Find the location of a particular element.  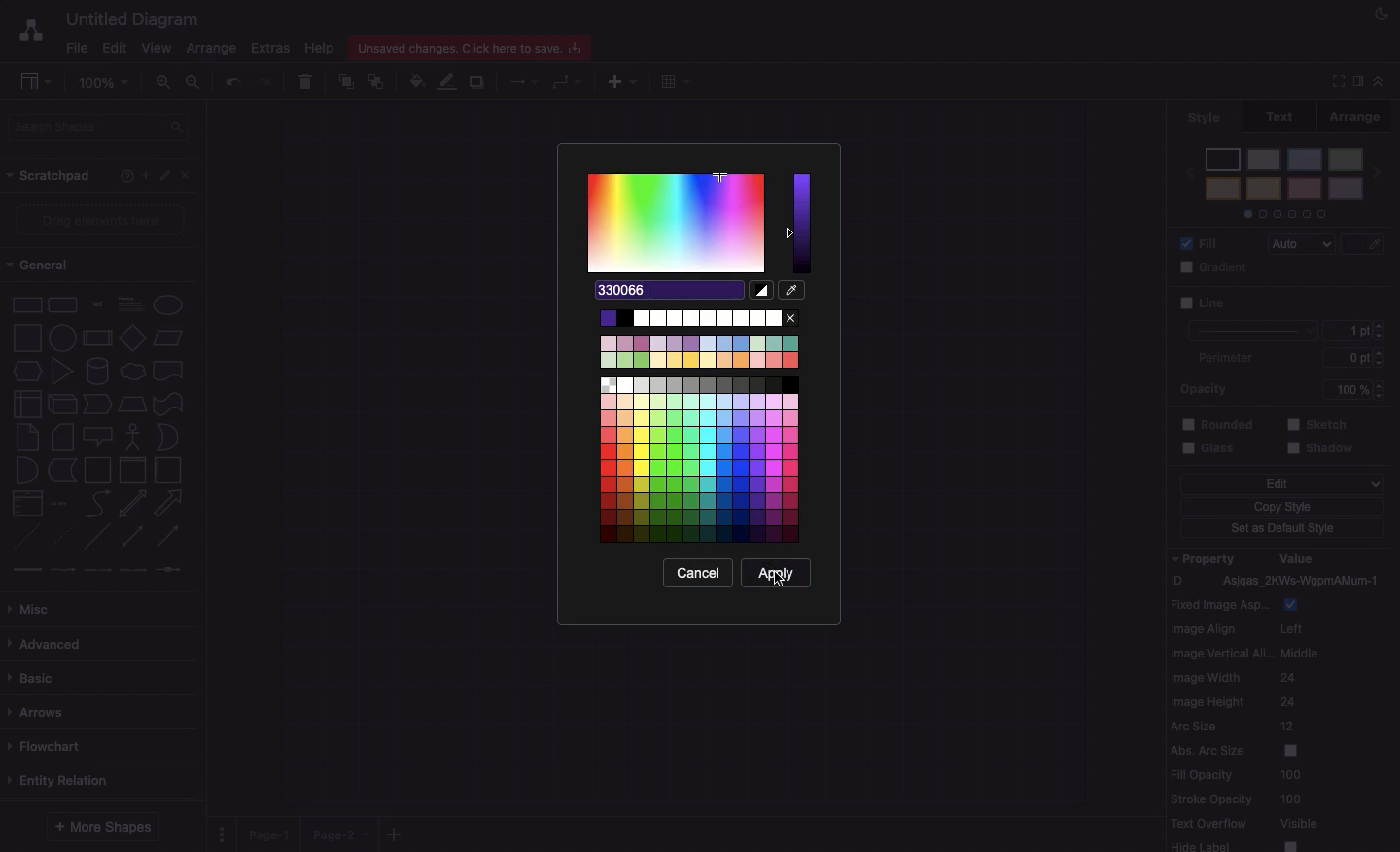

Misc is located at coordinates (34, 604).